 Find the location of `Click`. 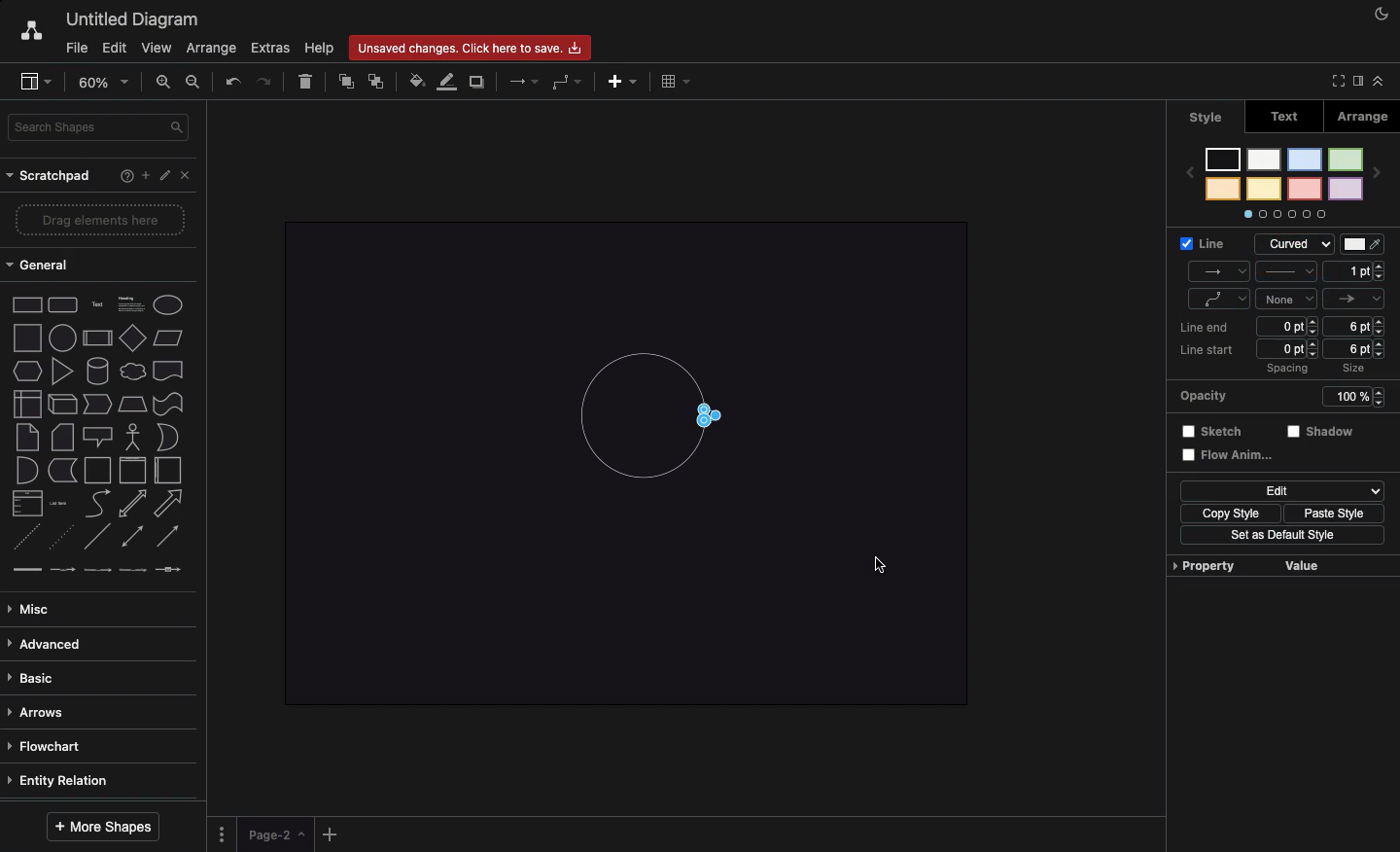

Click is located at coordinates (880, 562).